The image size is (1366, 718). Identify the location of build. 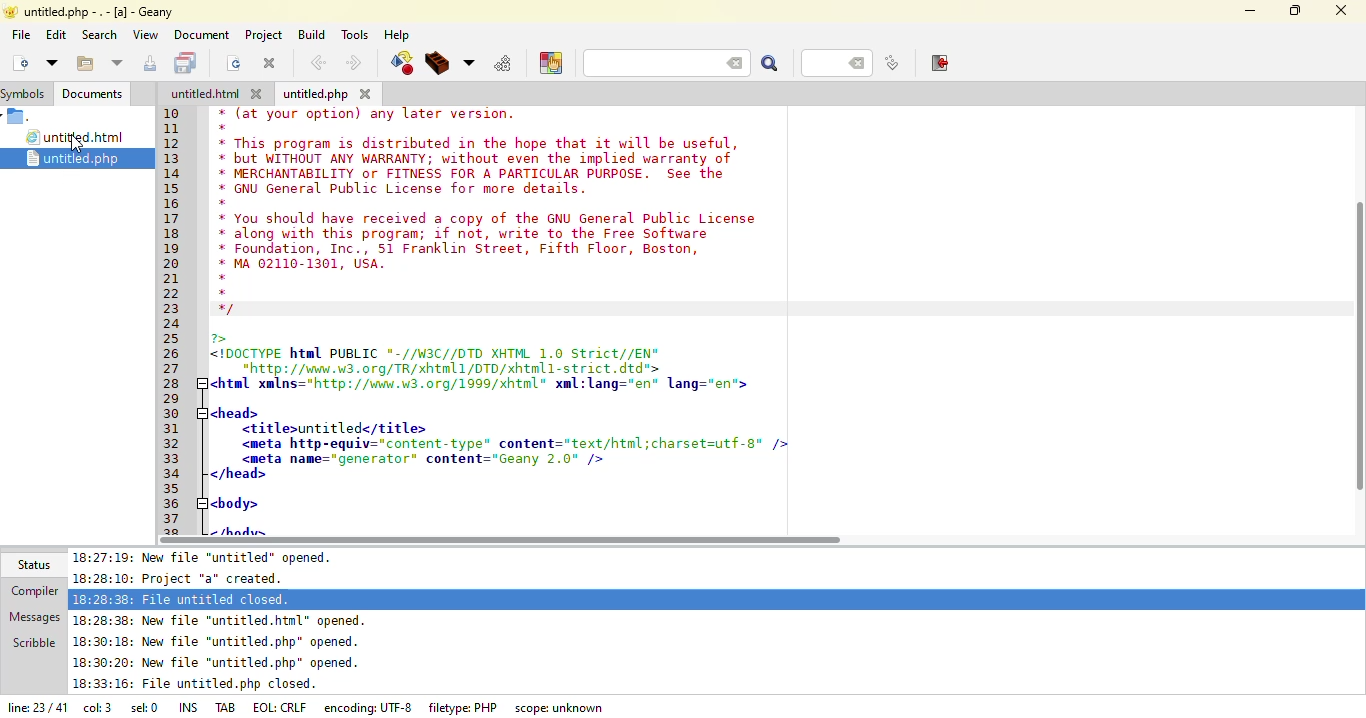
(313, 36).